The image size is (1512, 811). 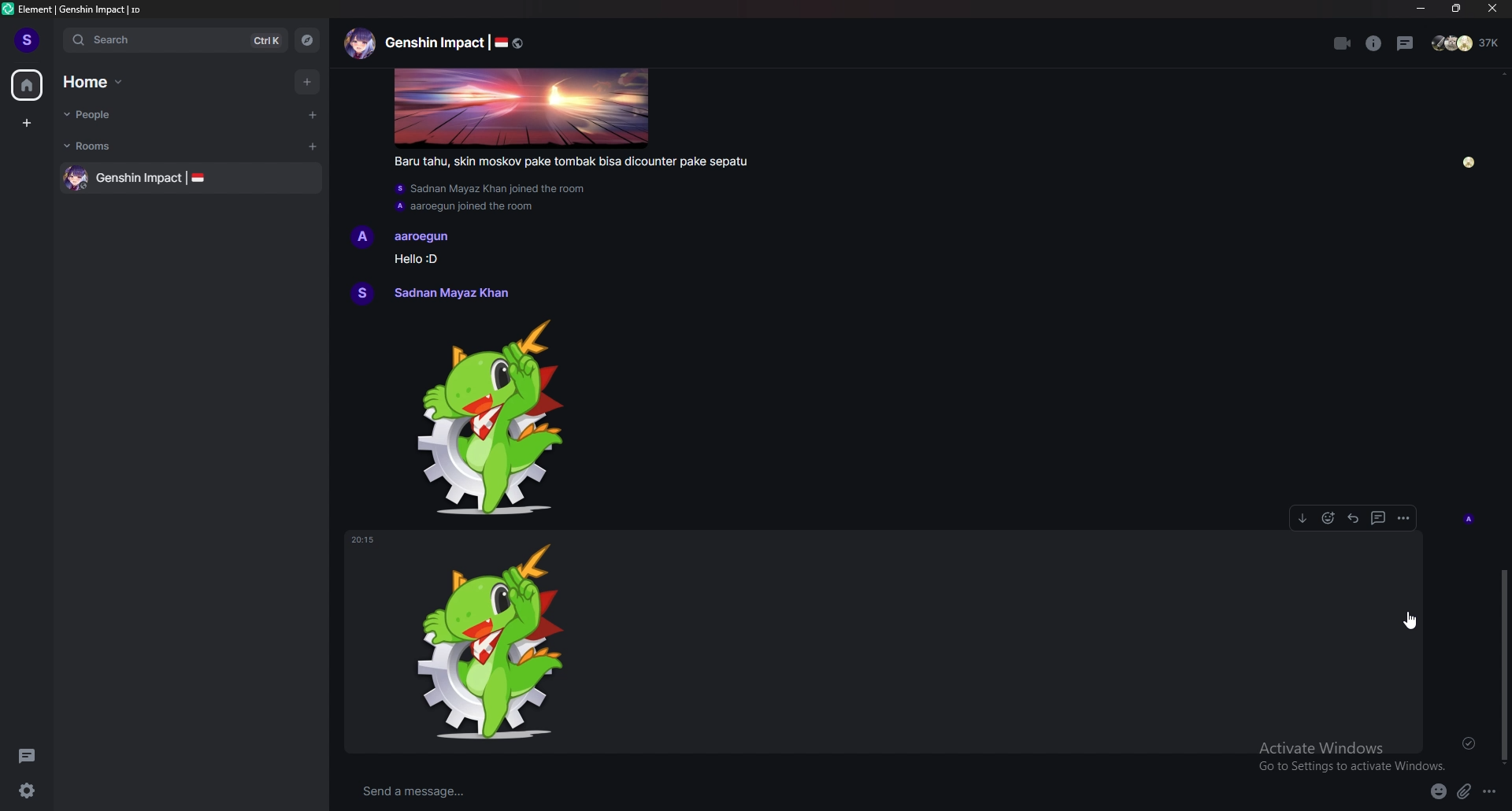 I want to click on Indicates message was sent, so click(x=1469, y=743).